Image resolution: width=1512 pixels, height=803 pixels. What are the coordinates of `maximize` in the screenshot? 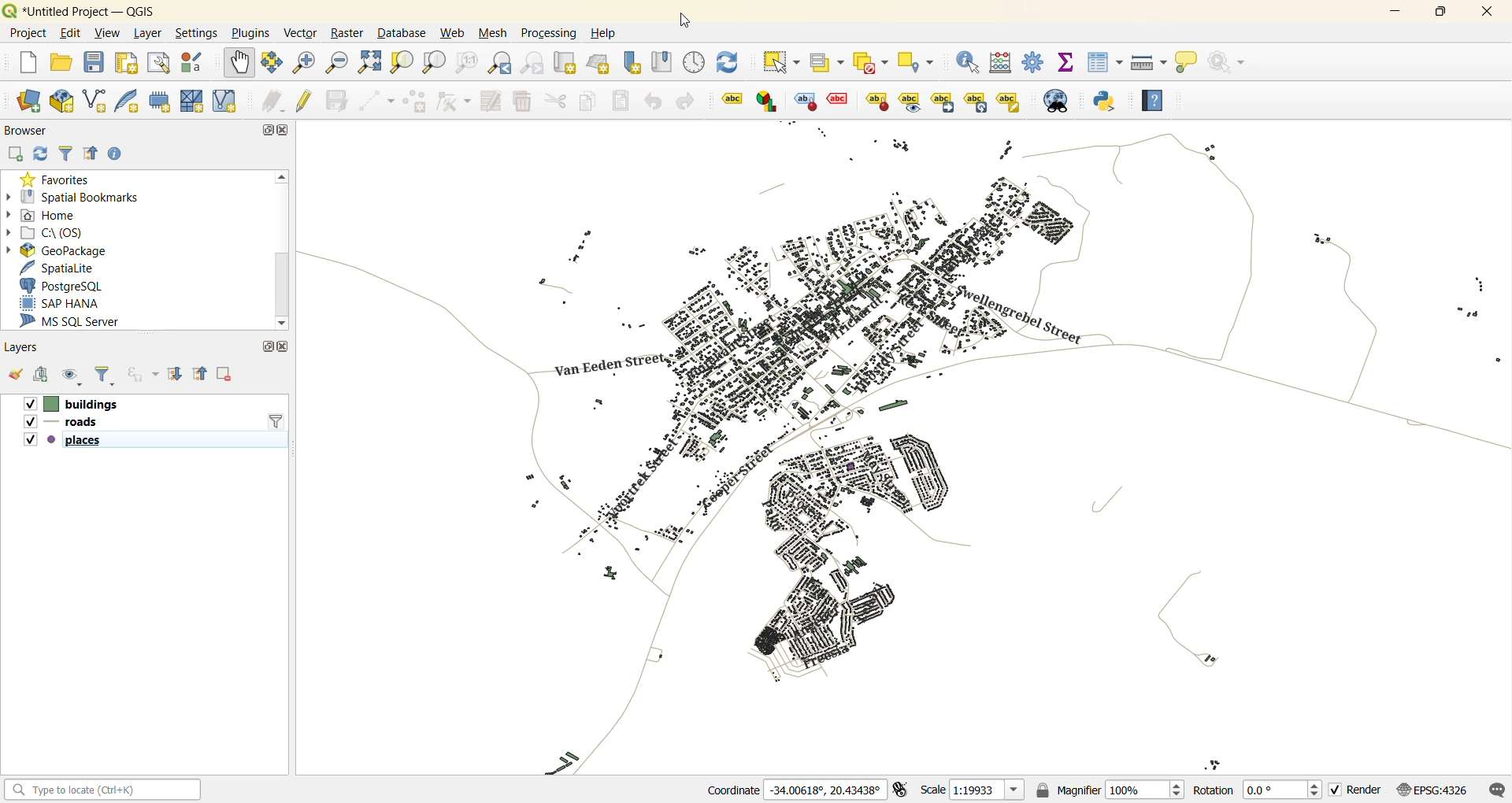 It's located at (265, 348).